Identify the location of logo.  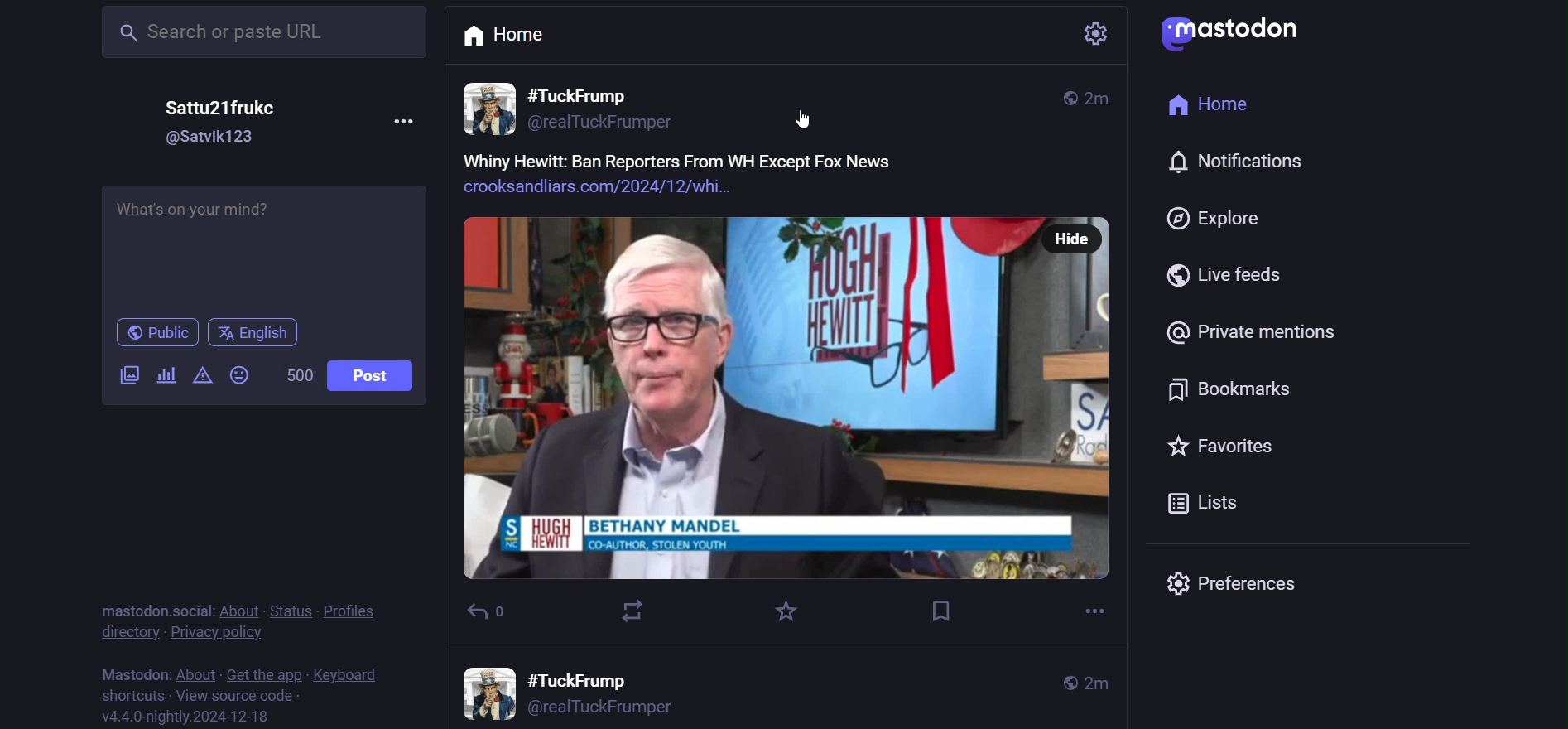
(1234, 31).